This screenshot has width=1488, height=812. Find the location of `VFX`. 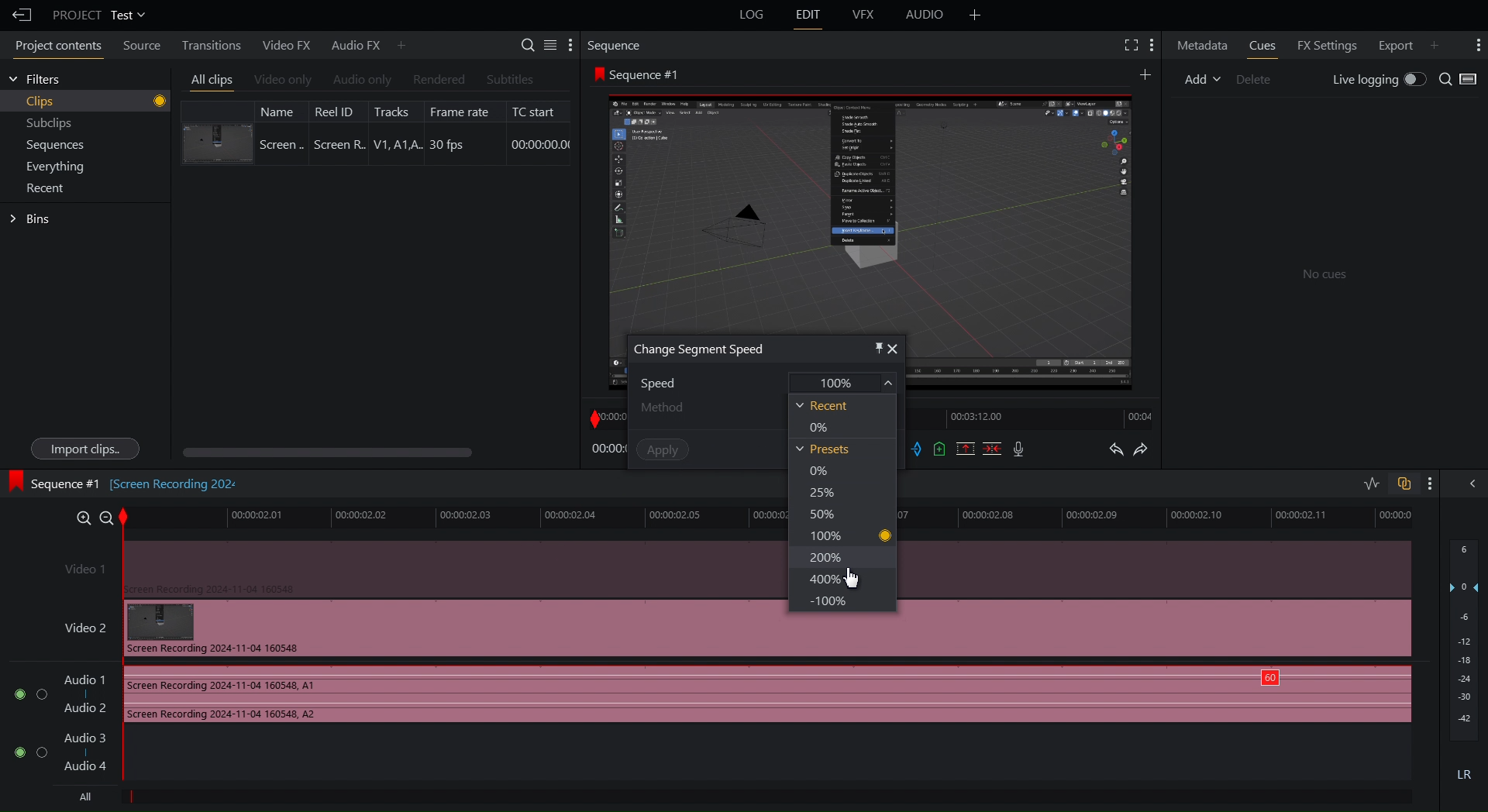

VFX is located at coordinates (866, 15).